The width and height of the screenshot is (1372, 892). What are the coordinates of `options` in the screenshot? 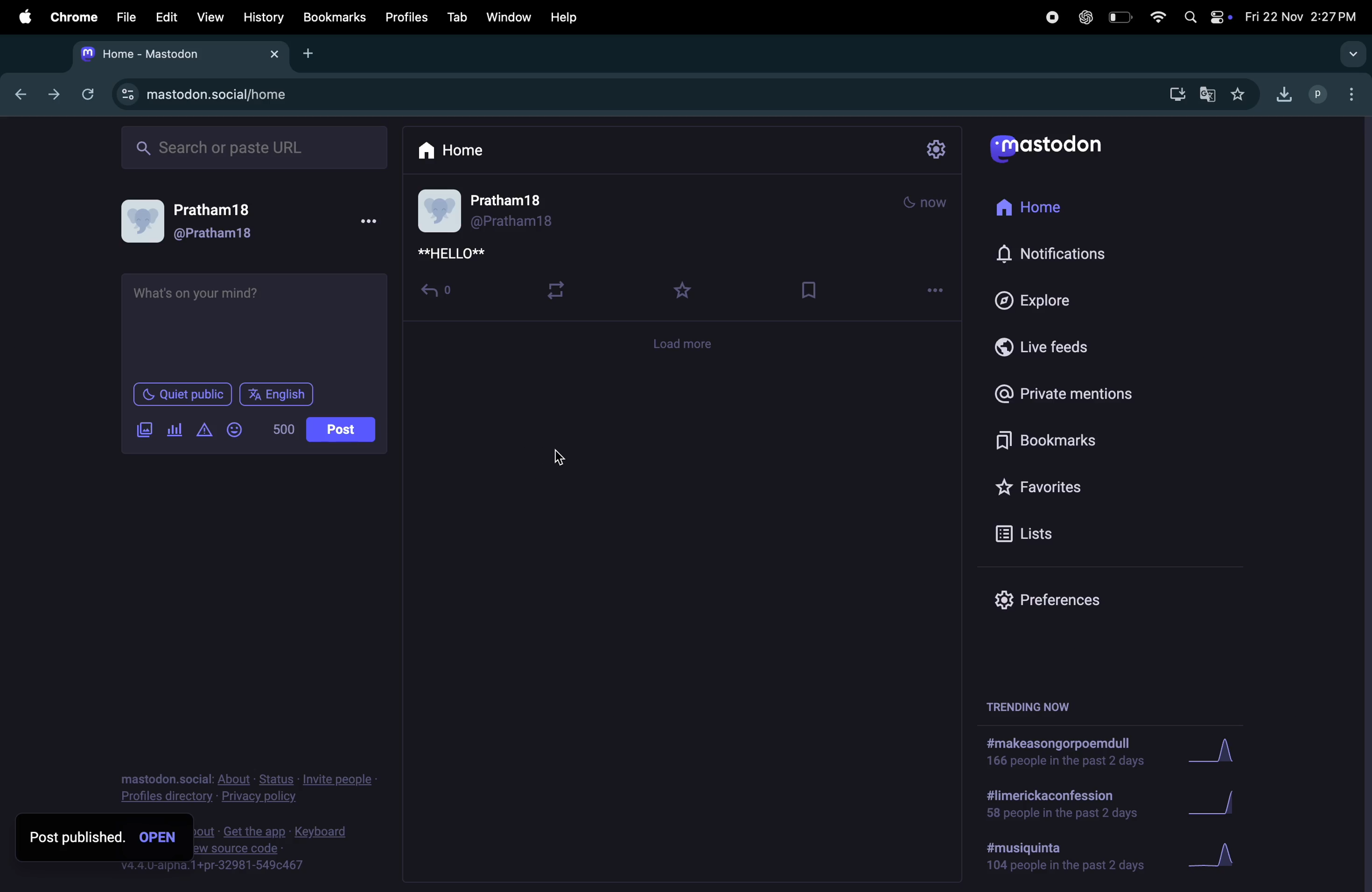 It's located at (1354, 92).